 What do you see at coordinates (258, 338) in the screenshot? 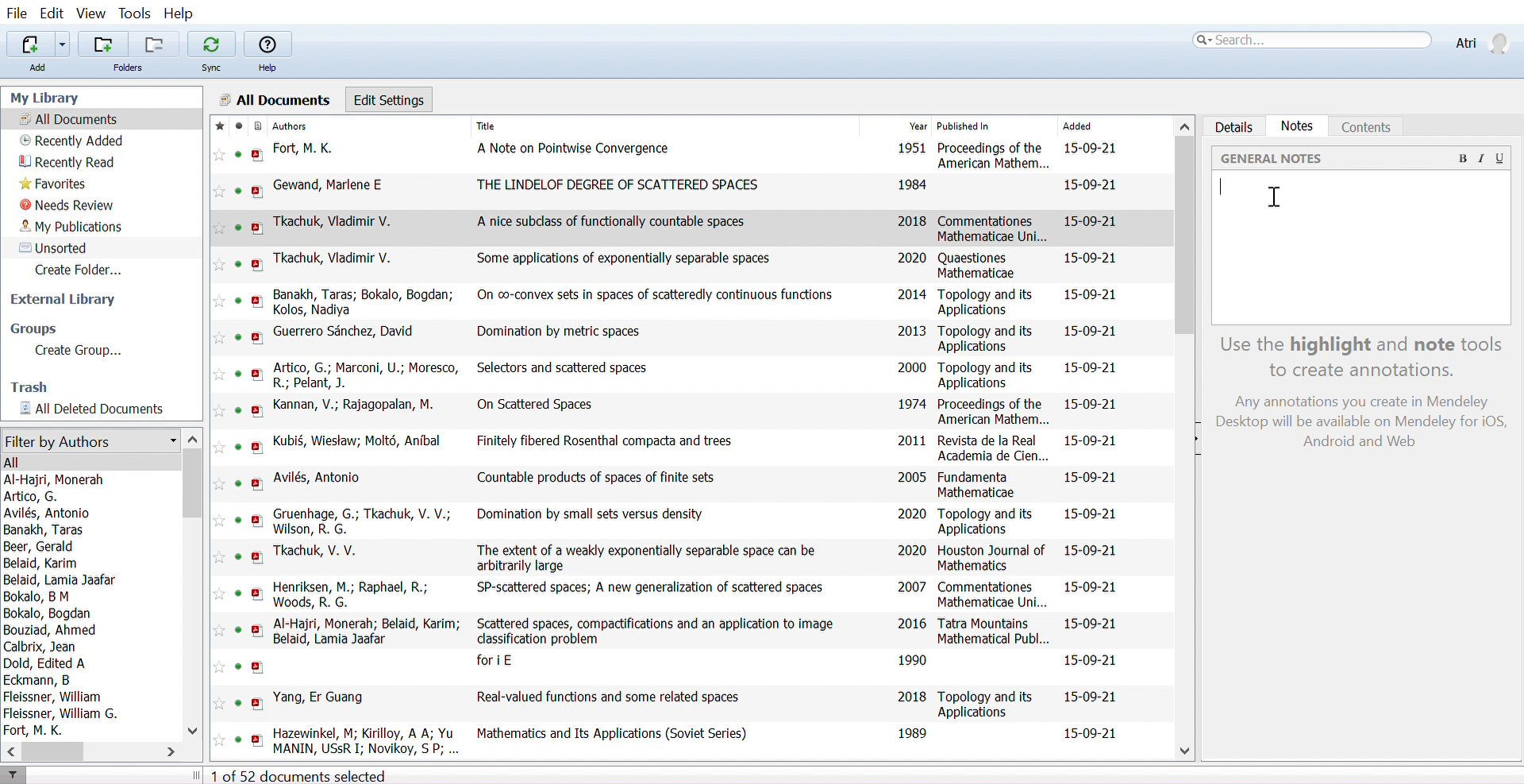
I see `open PDF` at bounding box center [258, 338].